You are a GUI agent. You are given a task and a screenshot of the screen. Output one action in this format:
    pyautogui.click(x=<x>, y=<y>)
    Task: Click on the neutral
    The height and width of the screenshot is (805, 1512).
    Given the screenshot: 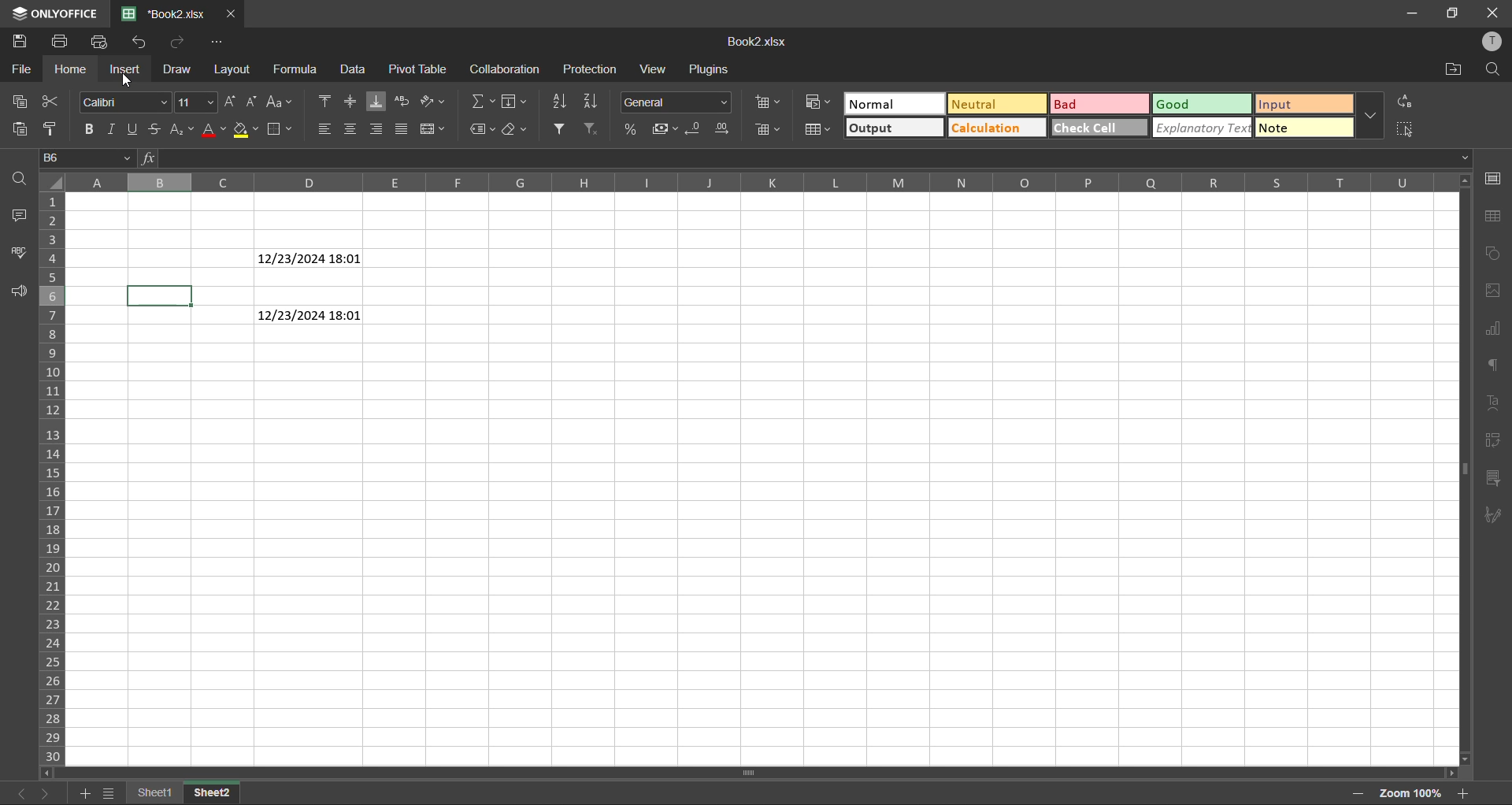 What is the action you would take?
    pyautogui.click(x=999, y=106)
    